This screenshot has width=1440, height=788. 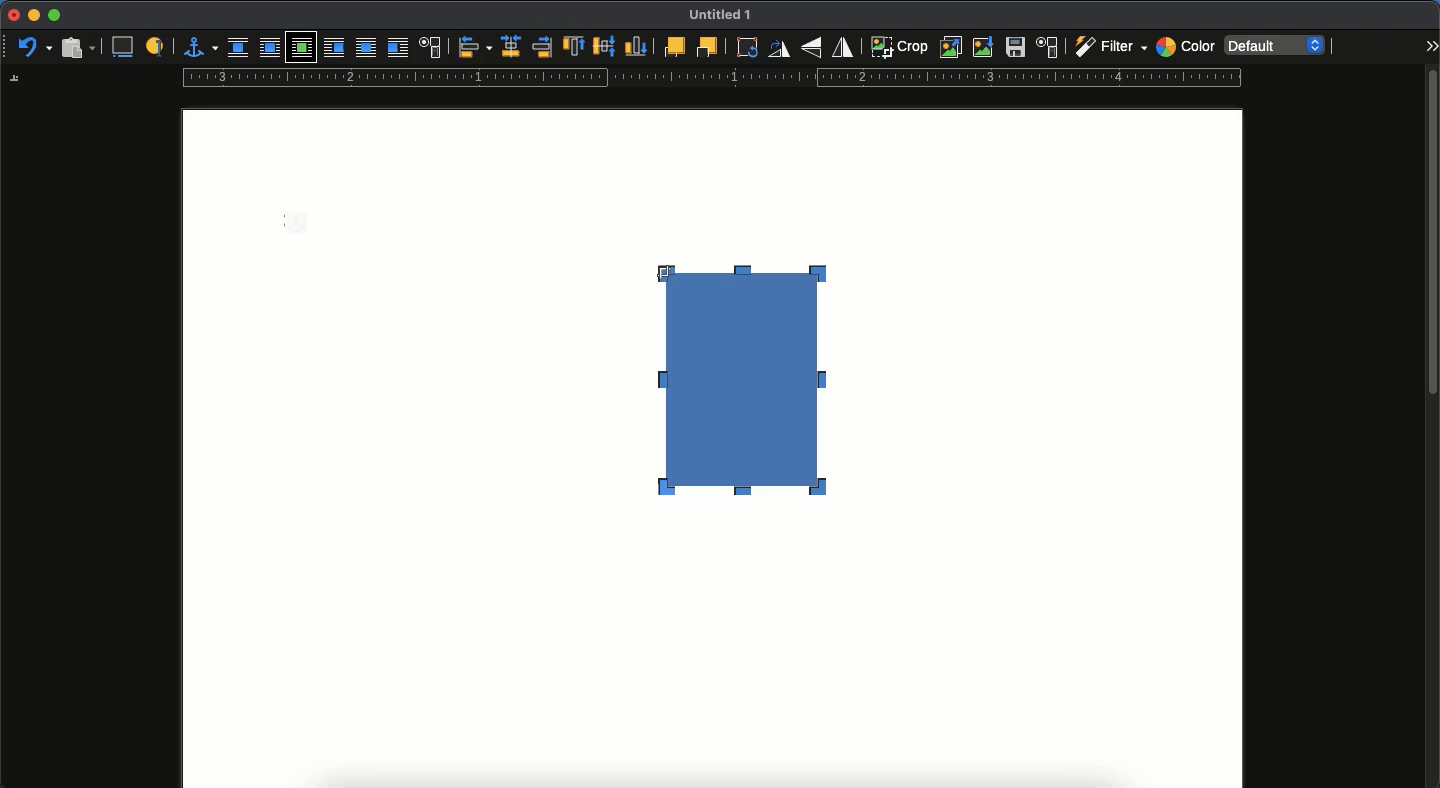 I want to click on optimal, so click(x=300, y=49).